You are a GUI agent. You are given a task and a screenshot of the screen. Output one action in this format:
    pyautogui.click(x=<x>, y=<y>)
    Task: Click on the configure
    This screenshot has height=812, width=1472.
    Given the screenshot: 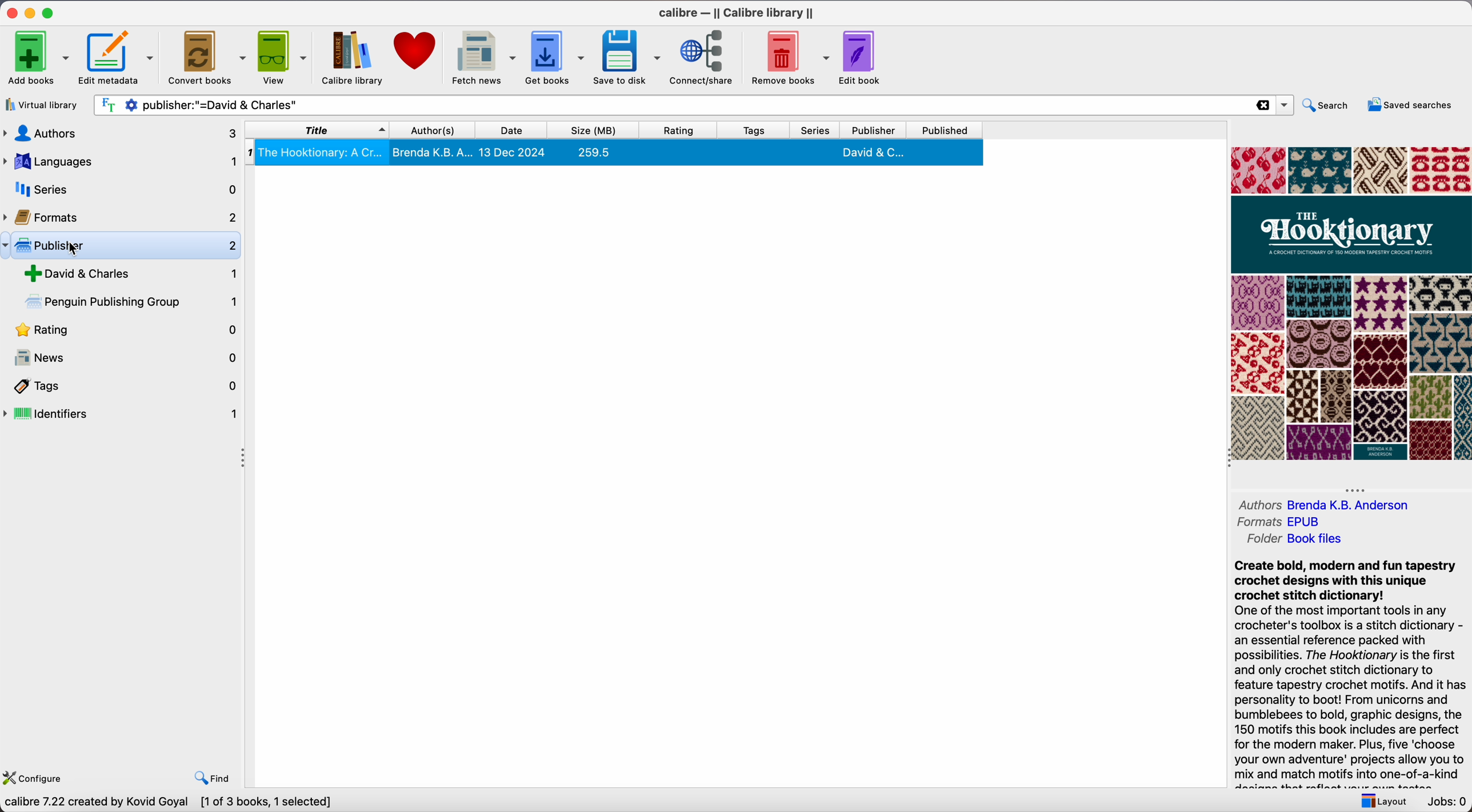 What is the action you would take?
    pyautogui.click(x=38, y=776)
    